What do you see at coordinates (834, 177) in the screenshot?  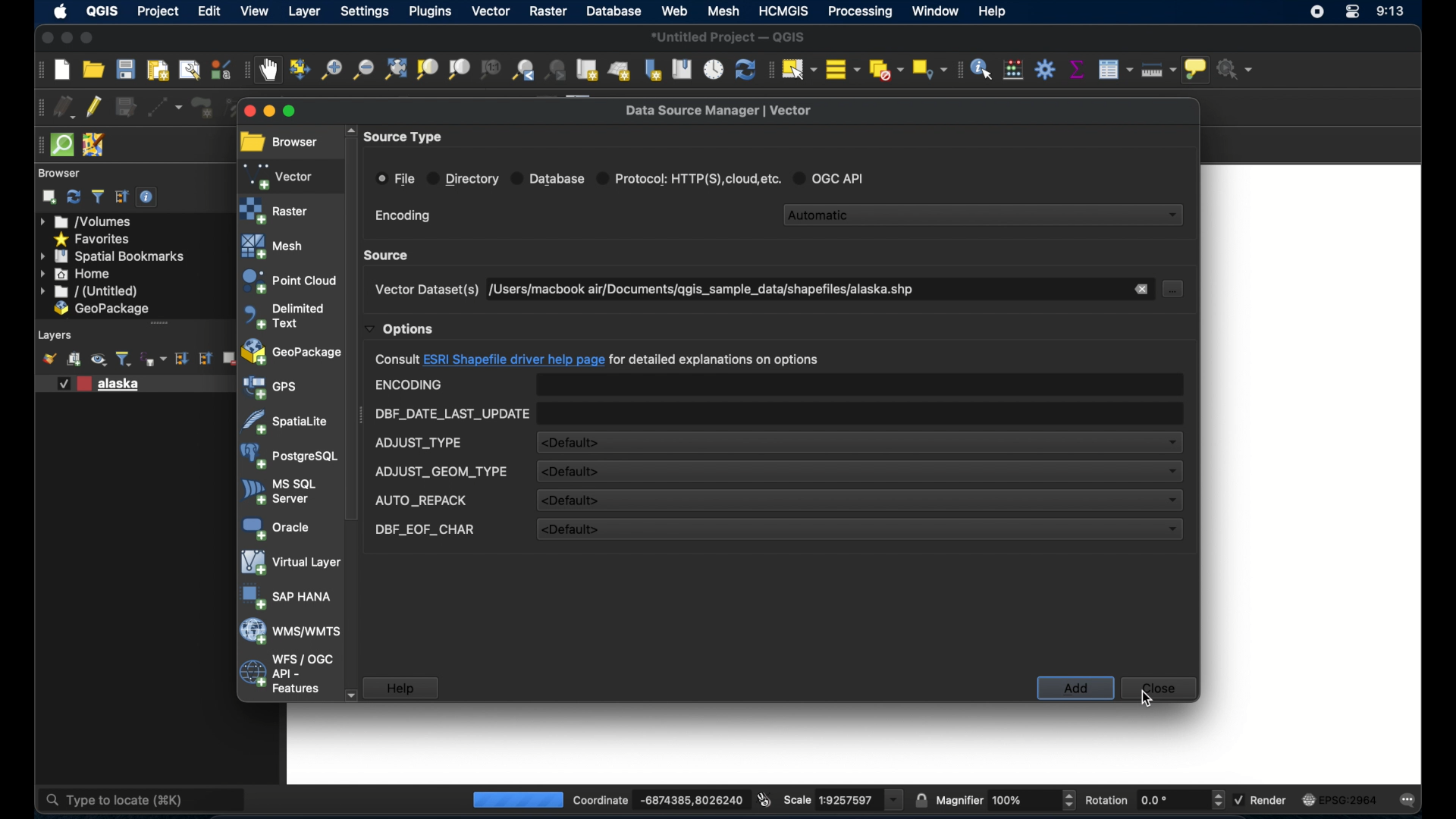 I see `ogc api` at bounding box center [834, 177].